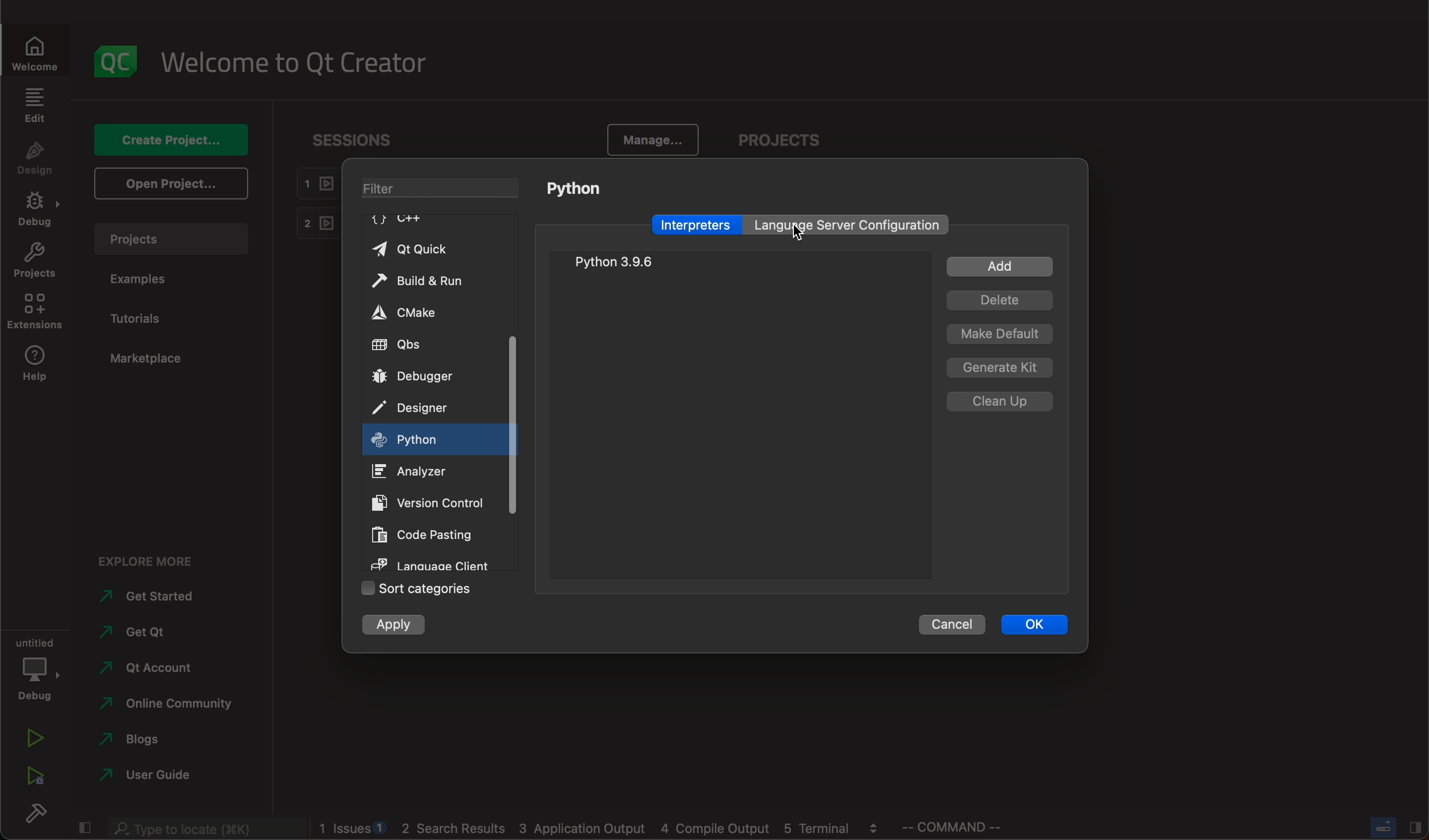 The height and width of the screenshot is (840, 1429). What do you see at coordinates (31, 778) in the screenshot?
I see `run debug` at bounding box center [31, 778].